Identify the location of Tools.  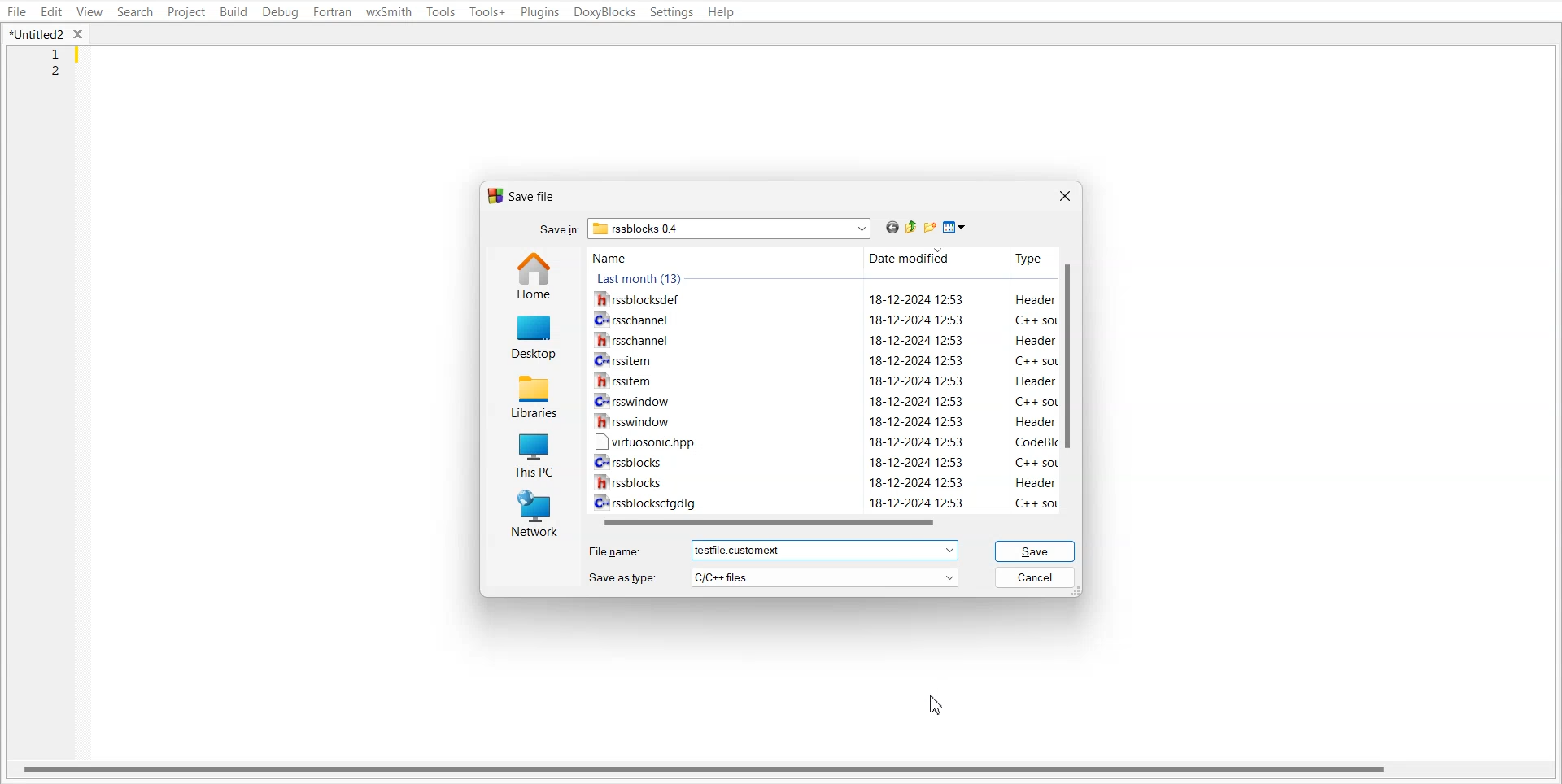
(440, 11).